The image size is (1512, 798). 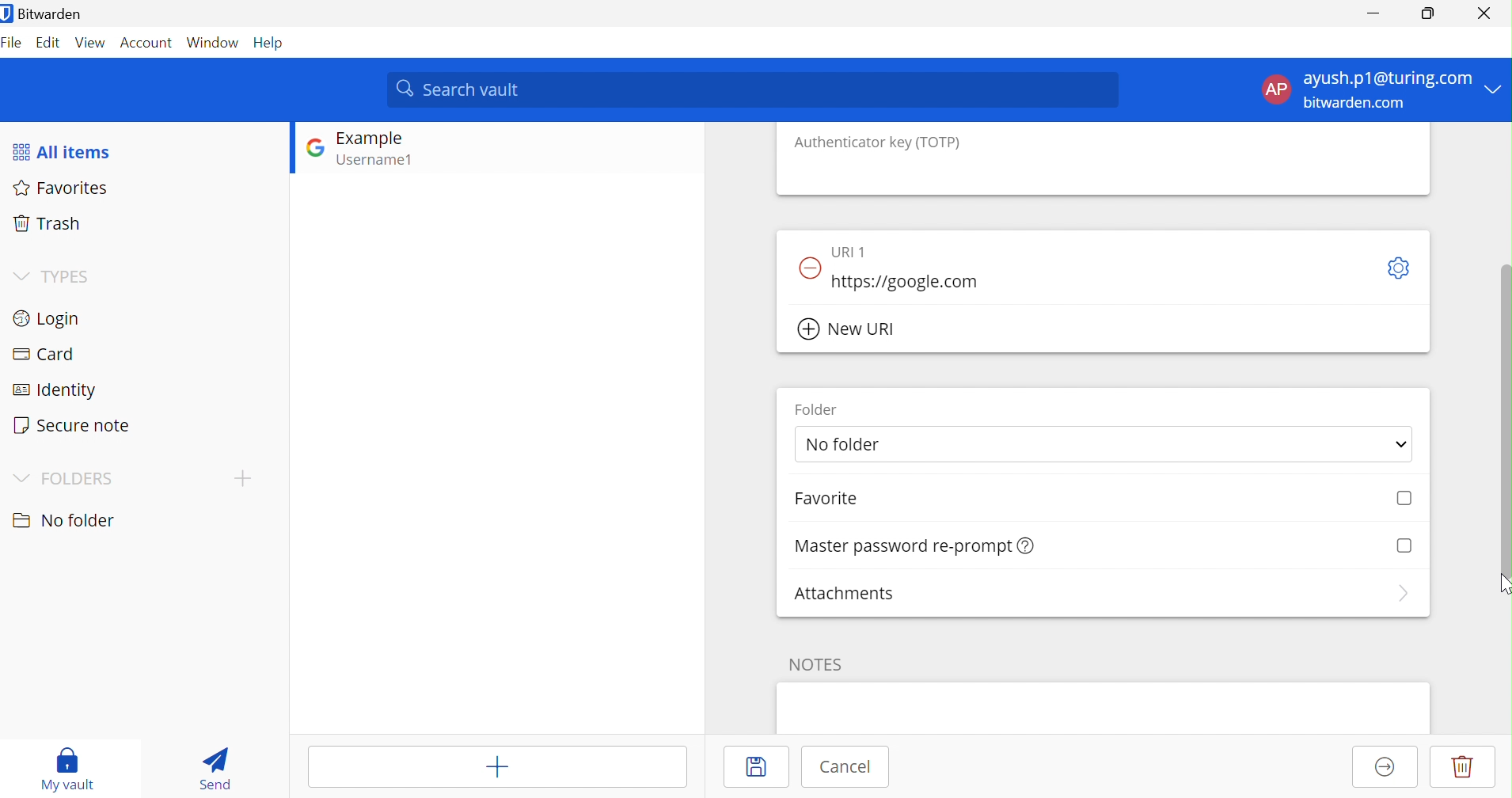 I want to click on Drop Down, so click(x=20, y=273).